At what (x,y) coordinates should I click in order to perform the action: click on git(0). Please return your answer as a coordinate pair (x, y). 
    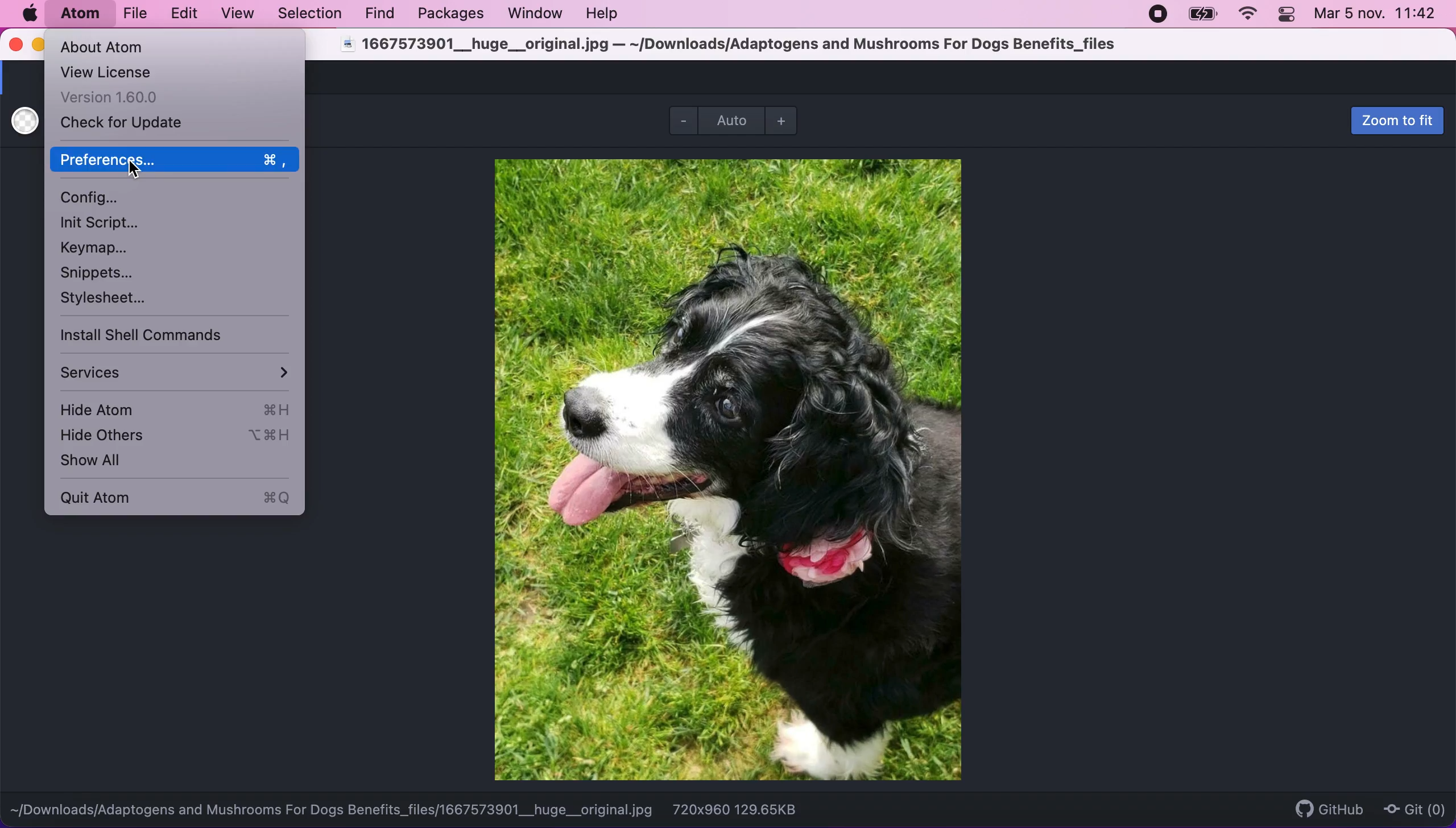
    Looking at the image, I should click on (1413, 811).